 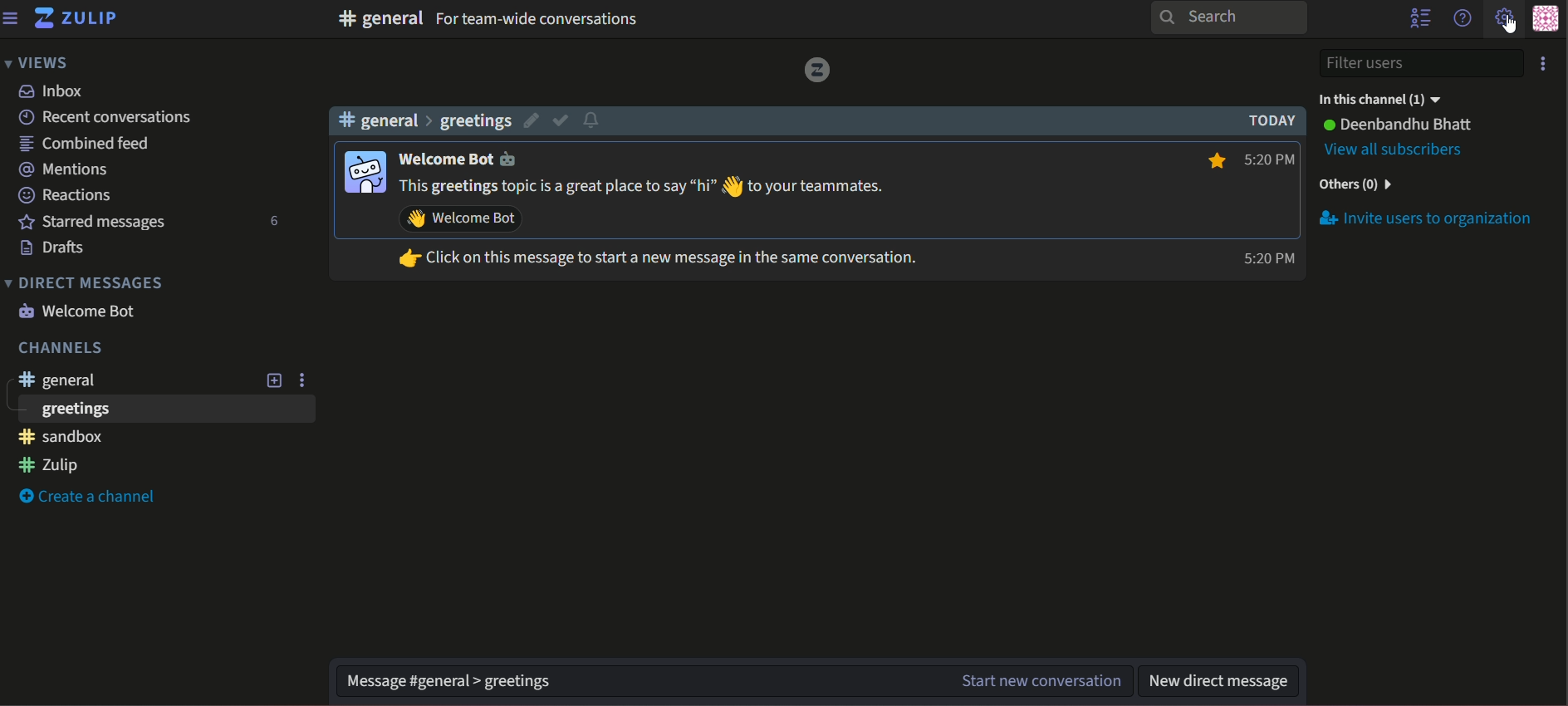 What do you see at coordinates (815, 70) in the screenshot?
I see `logo` at bounding box center [815, 70].